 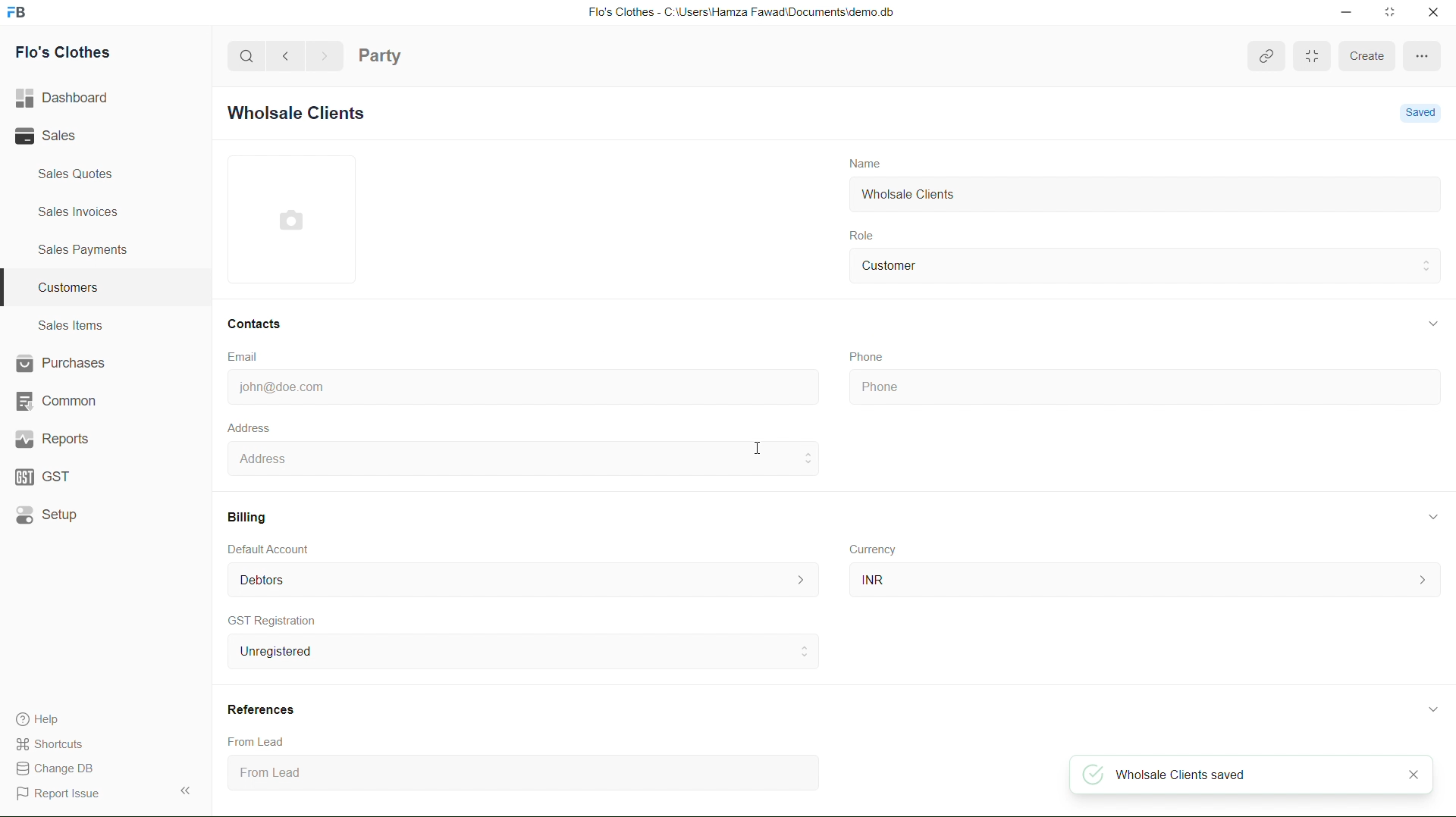 What do you see at coordinates (59, 55) in the screenshot?
I see `Flo's Clothes` at bounding box center [59, 55].